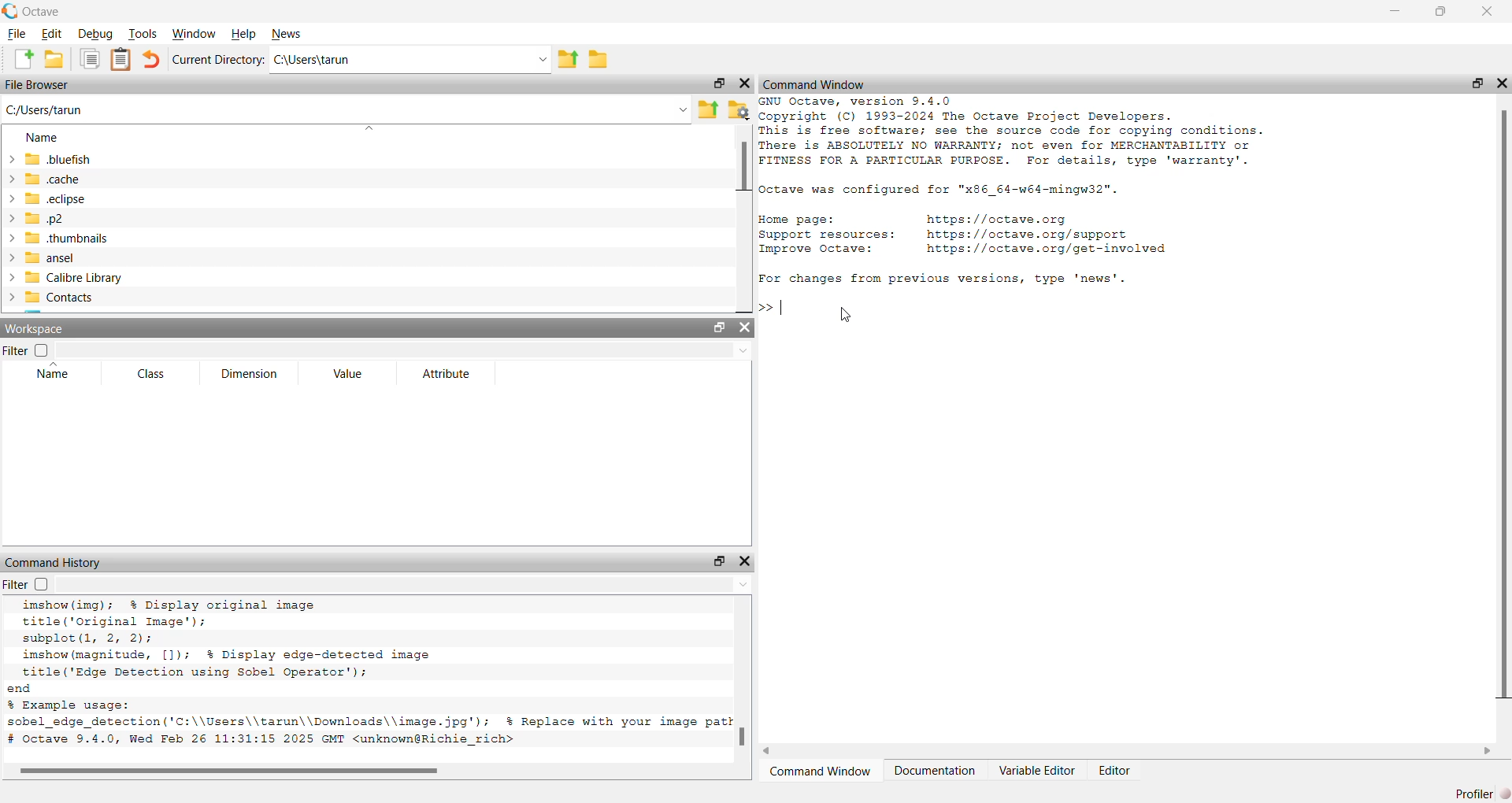 The height and width of the screenshot is (803, 1512). I want to click on dropdown, so click(406, 351).